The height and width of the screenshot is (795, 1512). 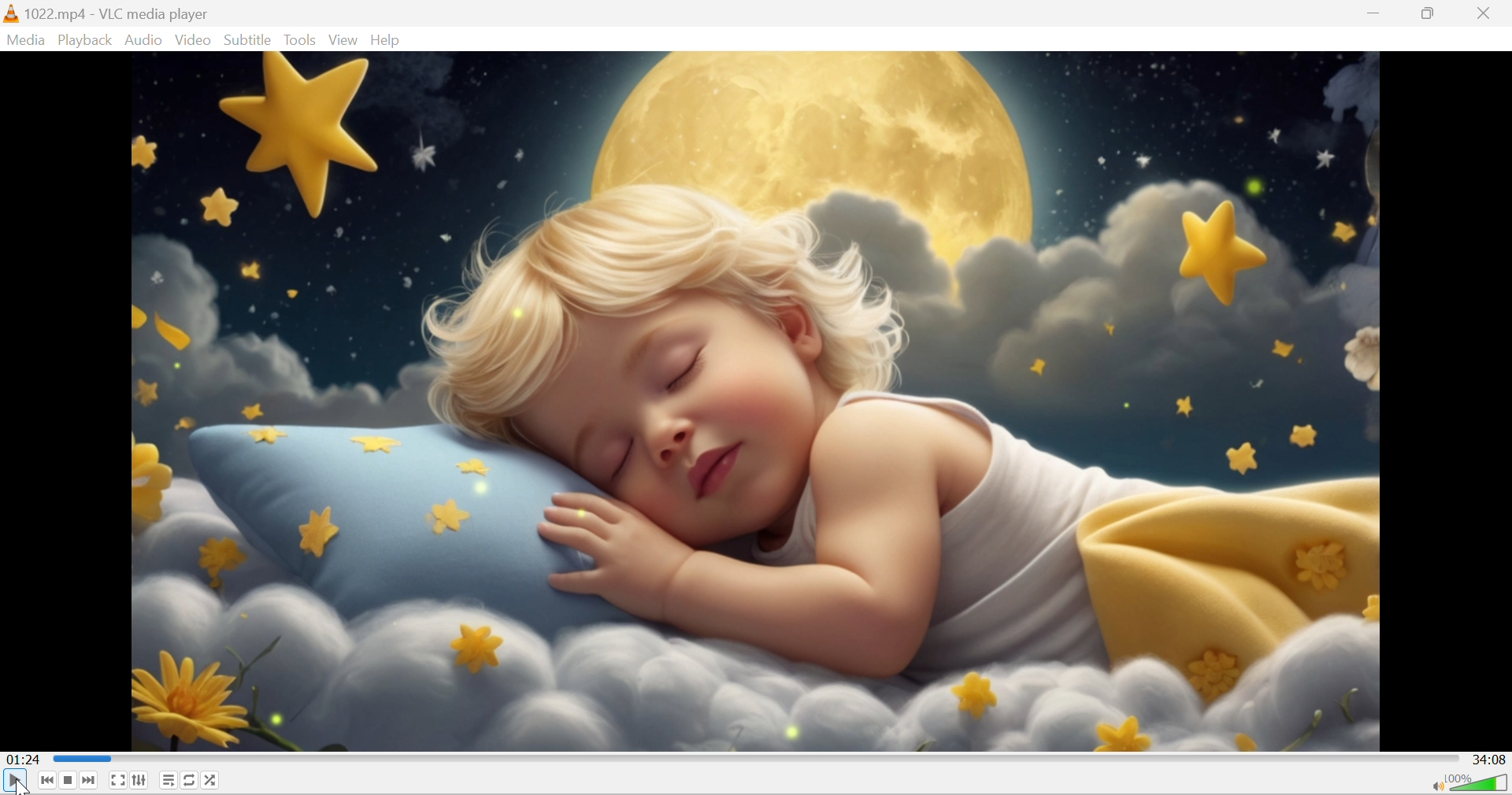 What do you see at coordinates (1490, 760) in the screenshot?
I see `34:08` at bounding box center [1490, 760].